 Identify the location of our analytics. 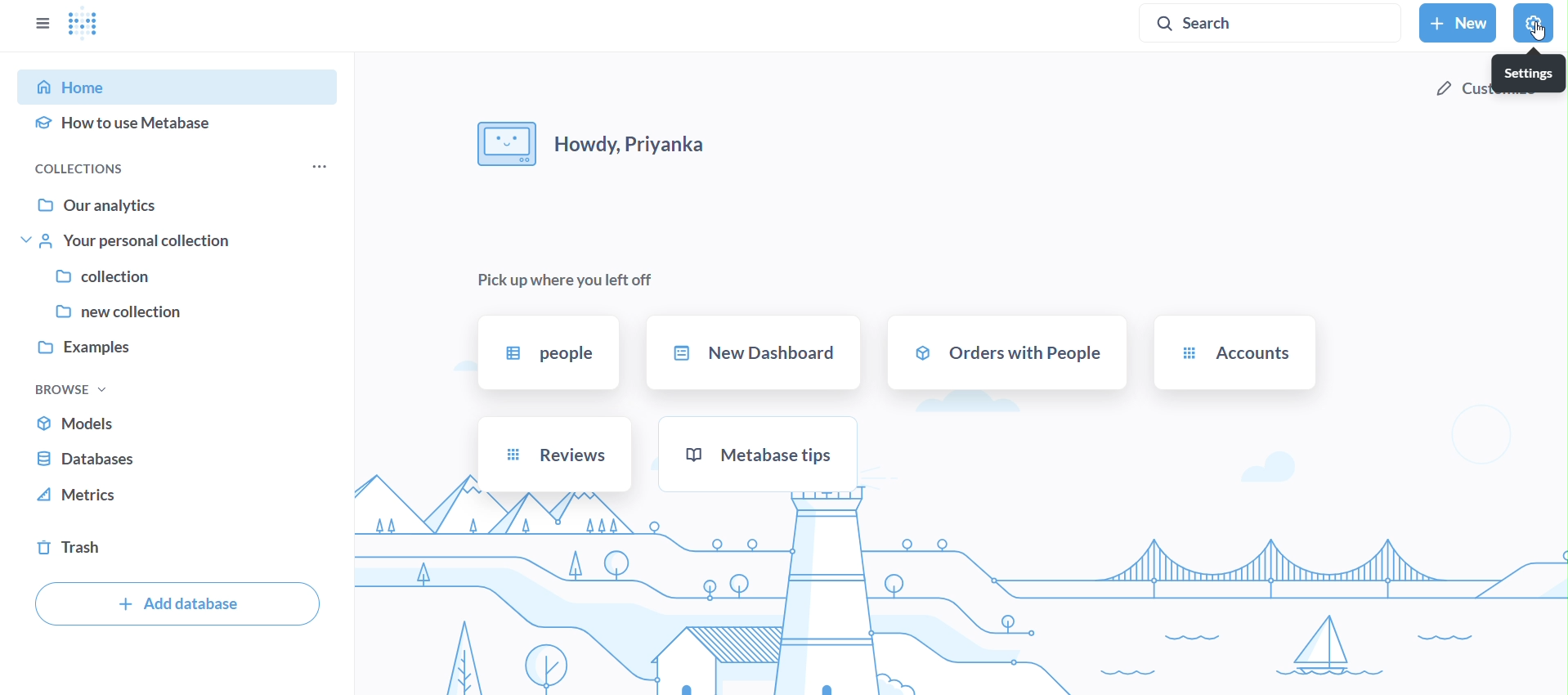
(183, 204).